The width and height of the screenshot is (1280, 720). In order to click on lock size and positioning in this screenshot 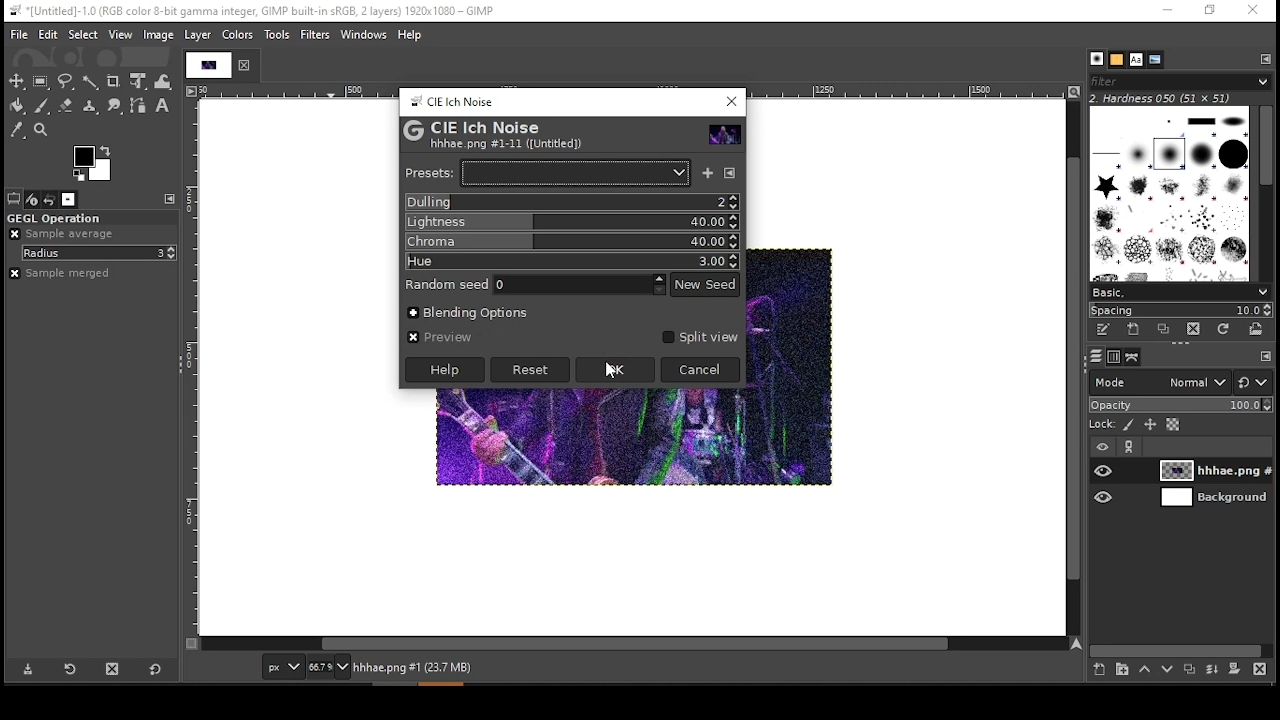, I will do `click(1151, 425)`.